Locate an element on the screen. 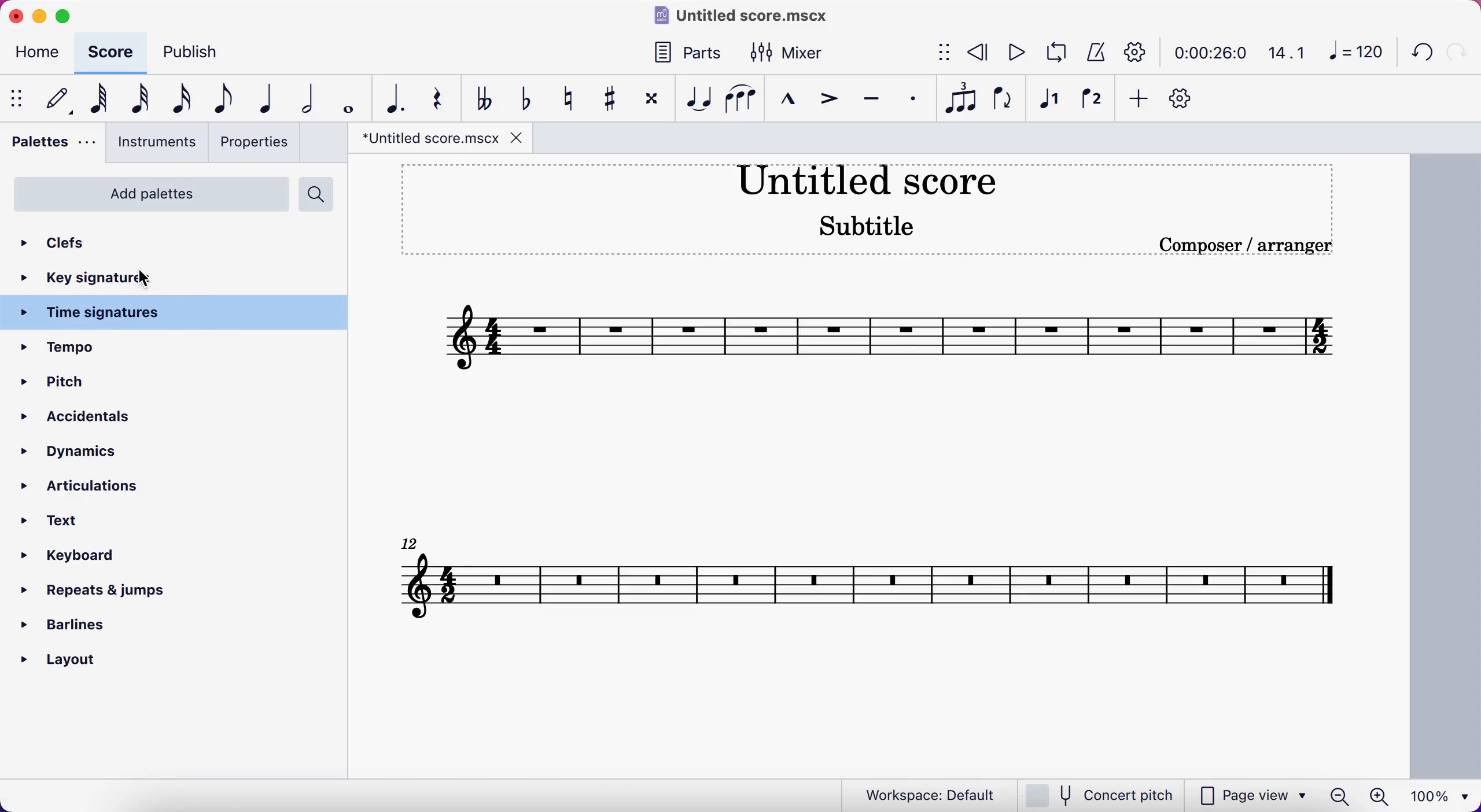 The image size is (1481, 812). keyboard is located at coordinates (74, 558).